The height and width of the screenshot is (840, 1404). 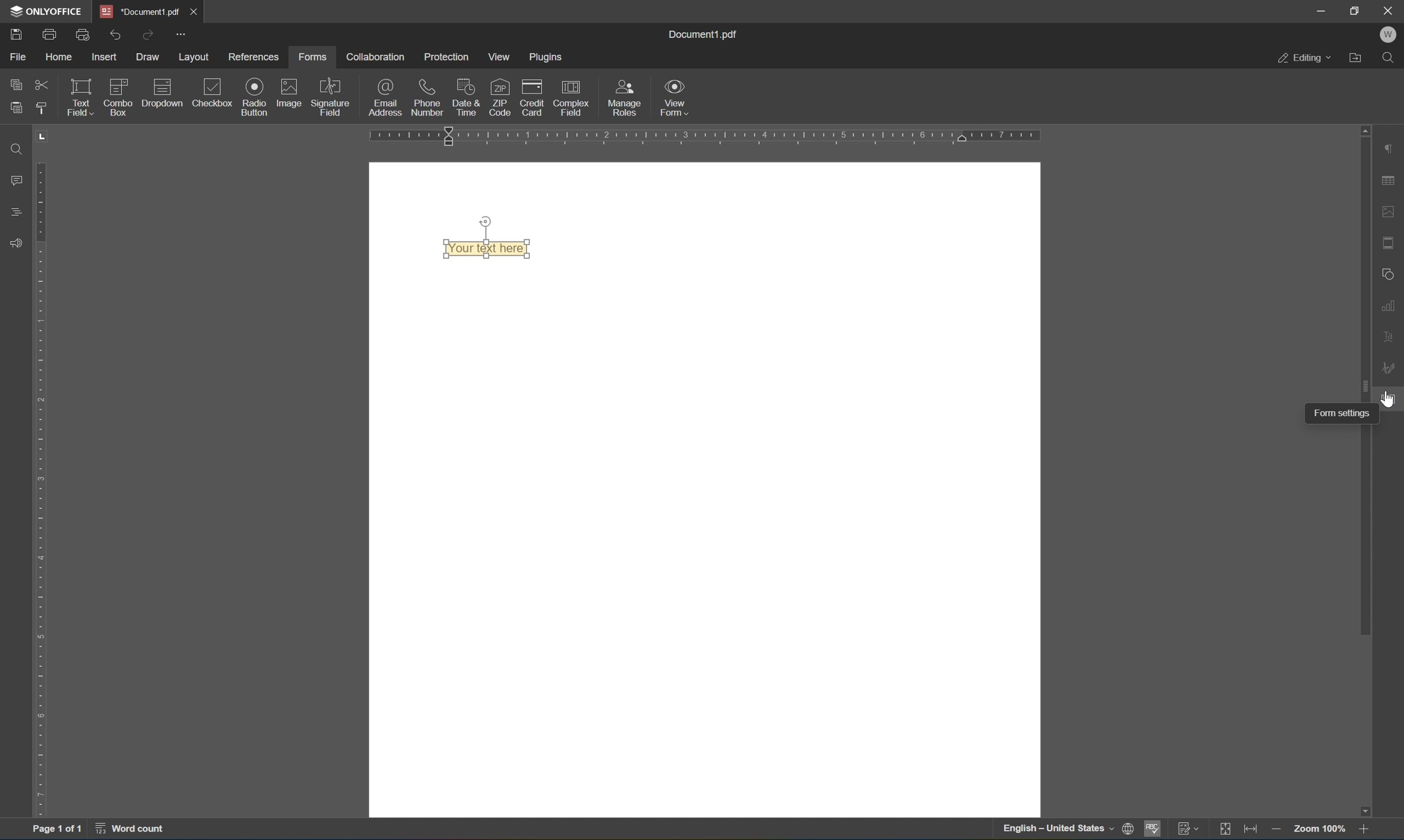 What do you see at coordinates (1322, 829) in the screenshot?
I see `zoom out` at bounding box center [1322, 829].